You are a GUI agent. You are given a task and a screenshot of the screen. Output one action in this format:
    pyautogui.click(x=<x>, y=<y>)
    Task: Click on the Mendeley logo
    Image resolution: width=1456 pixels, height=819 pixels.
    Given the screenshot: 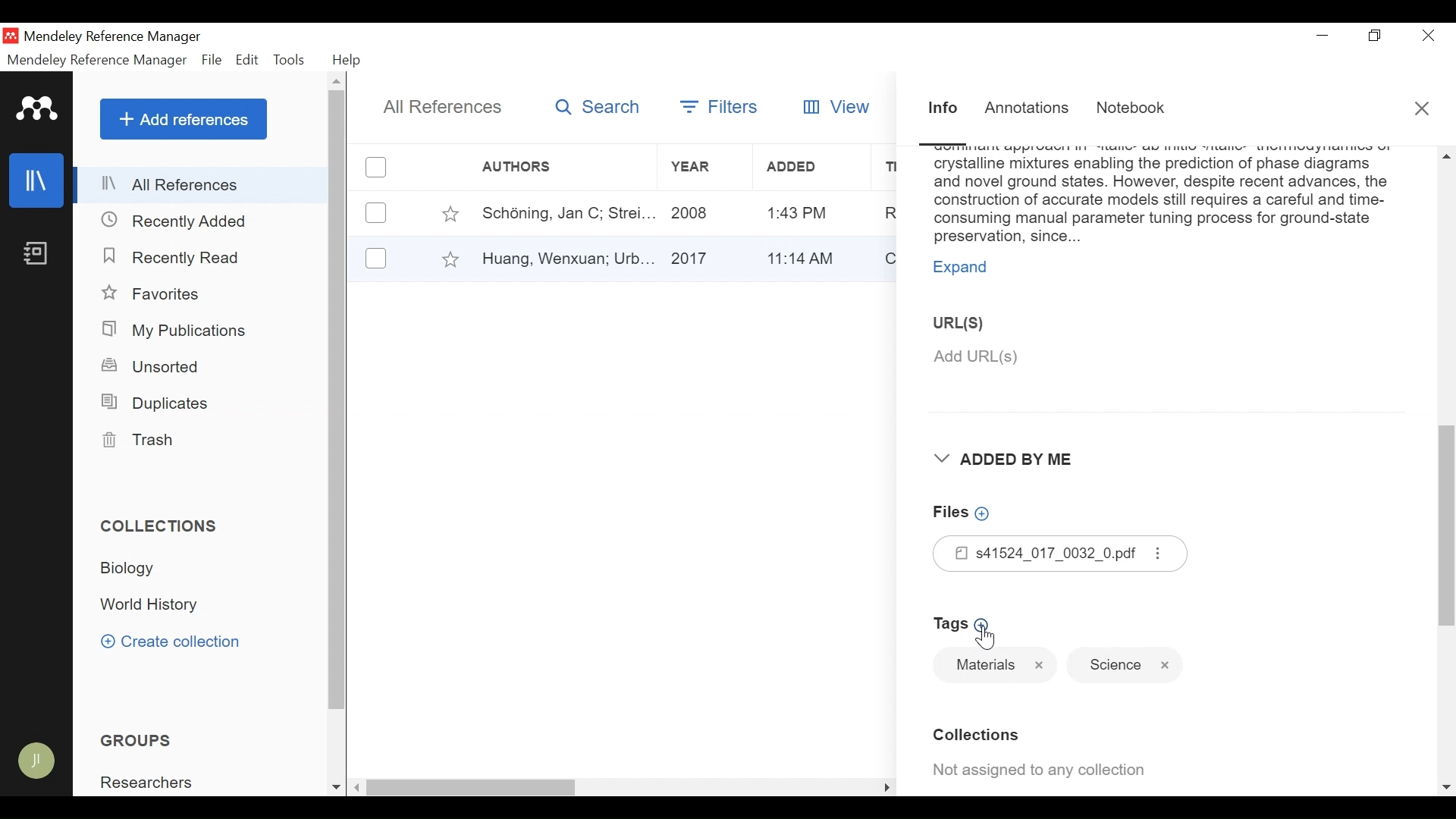 What is the action you would take?
    pyautogui.click(x=39, y=109)
    